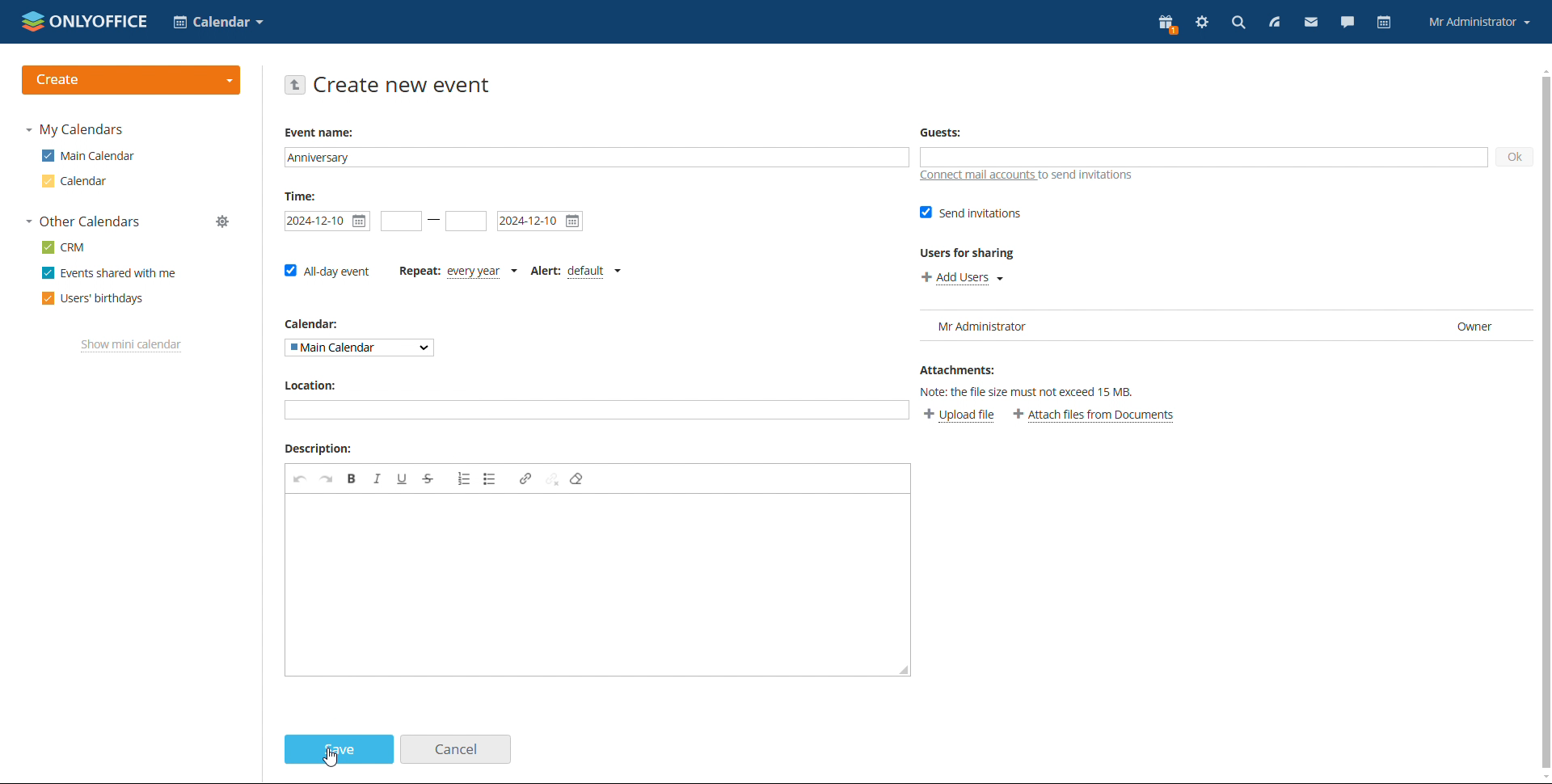 The height and width of the screenshot is (784, 1552). What do you see at coordinates (326, 270) in the screenshot?
I see `all-day event checkbox` at bounding box center [326, 270].